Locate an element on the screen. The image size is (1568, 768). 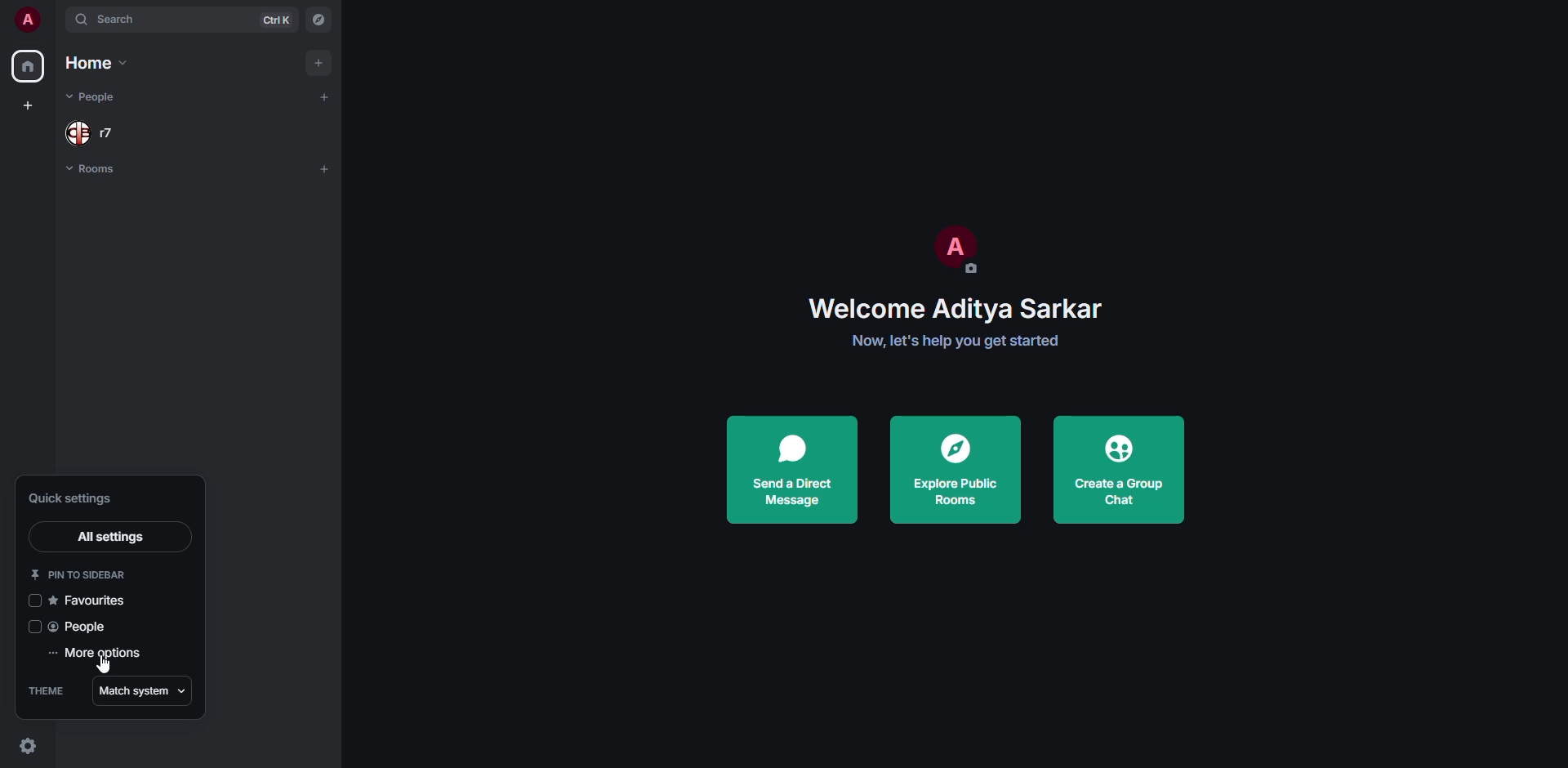
all settings is located at coordinates (106, 535).